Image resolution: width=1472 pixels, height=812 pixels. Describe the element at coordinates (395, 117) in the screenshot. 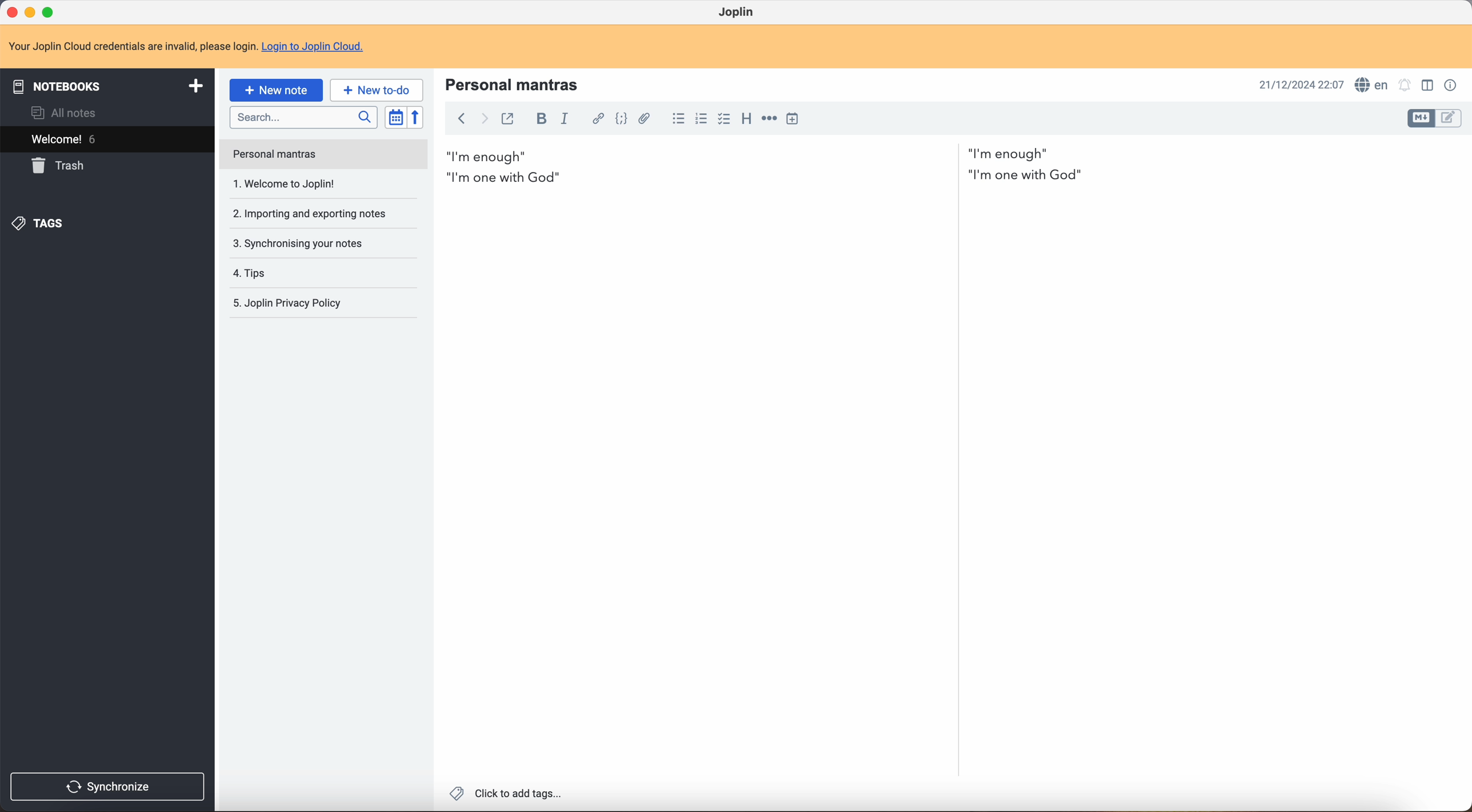

I see `toggle sort order field` at that location.